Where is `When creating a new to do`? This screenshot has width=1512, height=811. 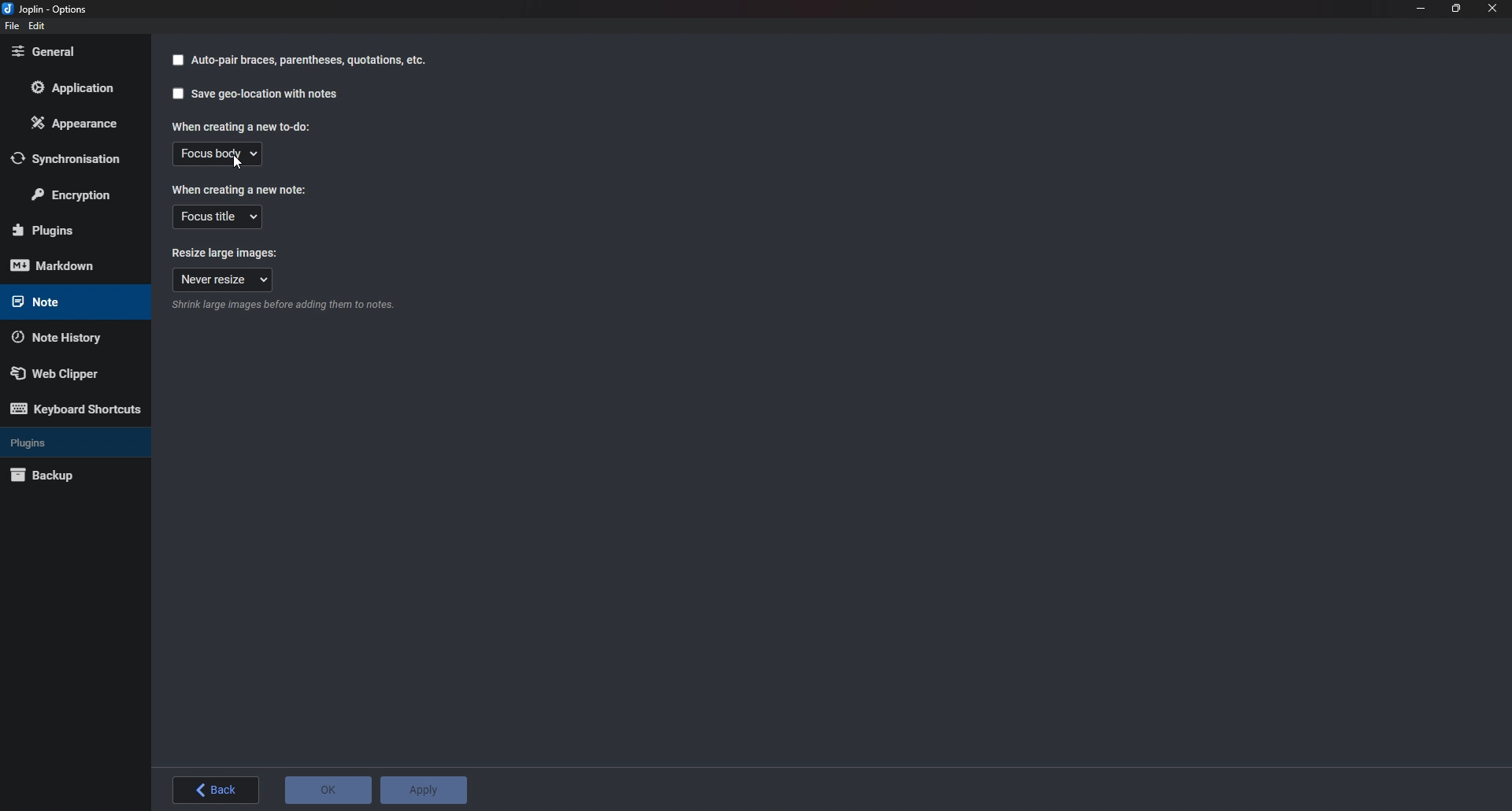
When creating a new to do is located at coordinates (239, 125).